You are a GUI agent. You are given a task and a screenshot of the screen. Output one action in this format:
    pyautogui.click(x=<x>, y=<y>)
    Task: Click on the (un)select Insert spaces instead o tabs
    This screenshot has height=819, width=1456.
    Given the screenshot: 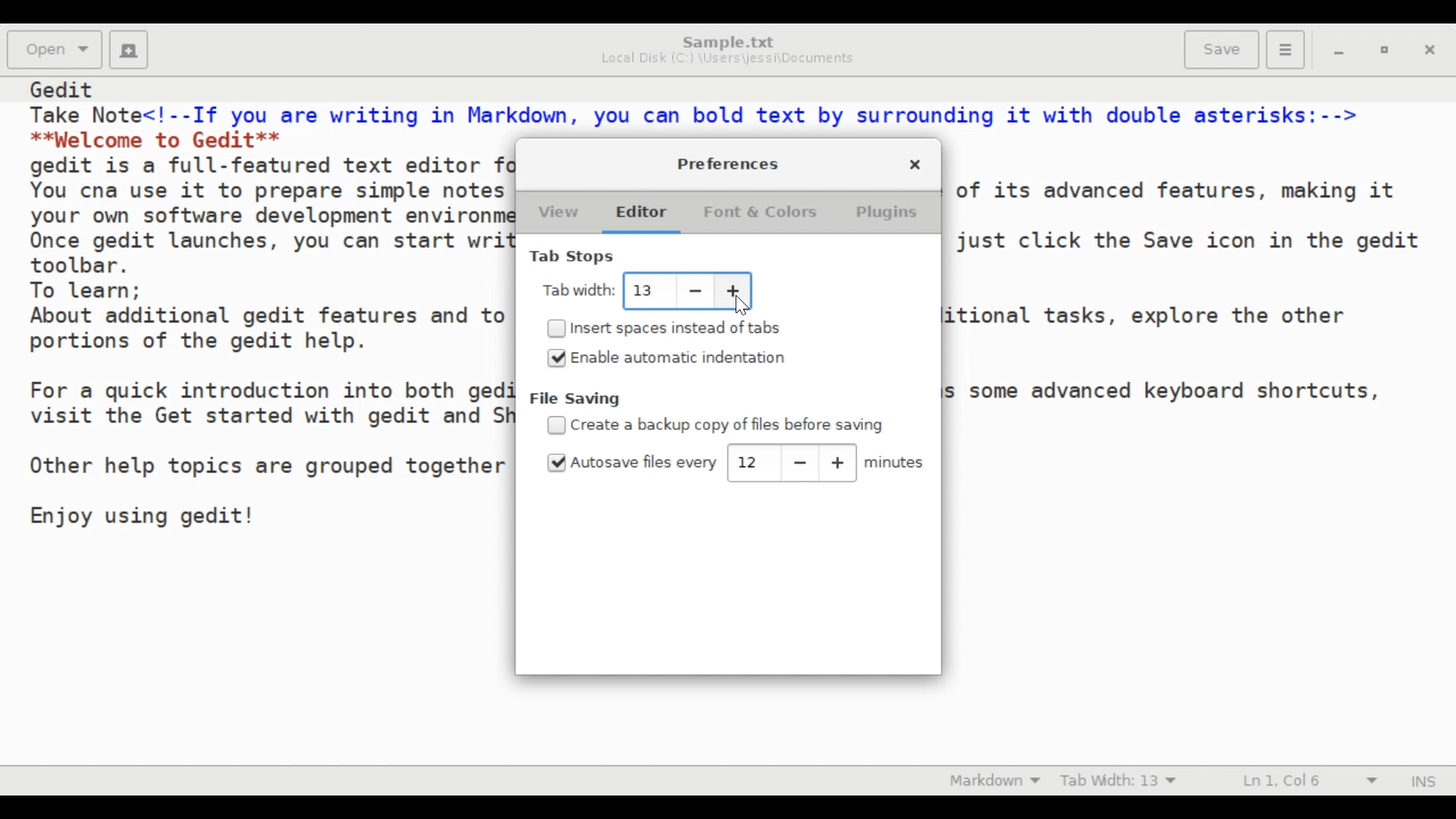 What is the action you would take?
    pyautogui.click(x=672, y=328)
    